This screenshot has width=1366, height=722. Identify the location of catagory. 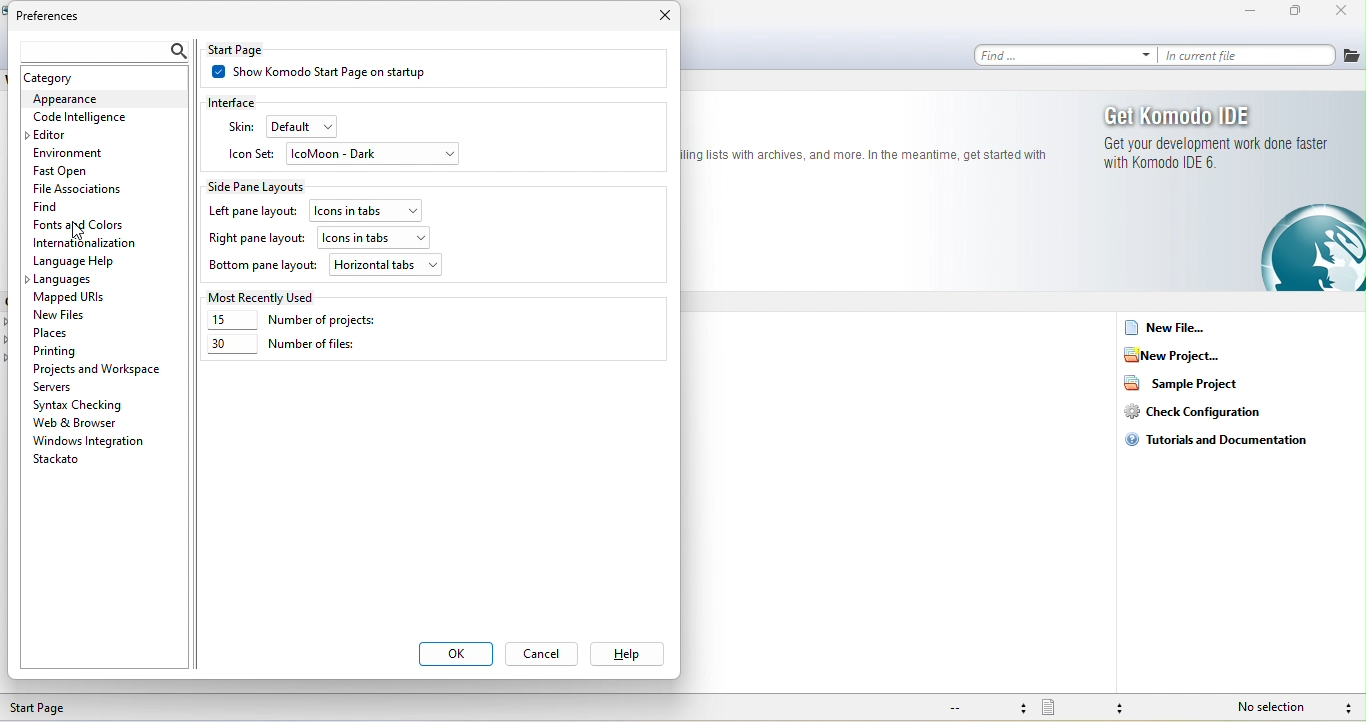
(64, 78).